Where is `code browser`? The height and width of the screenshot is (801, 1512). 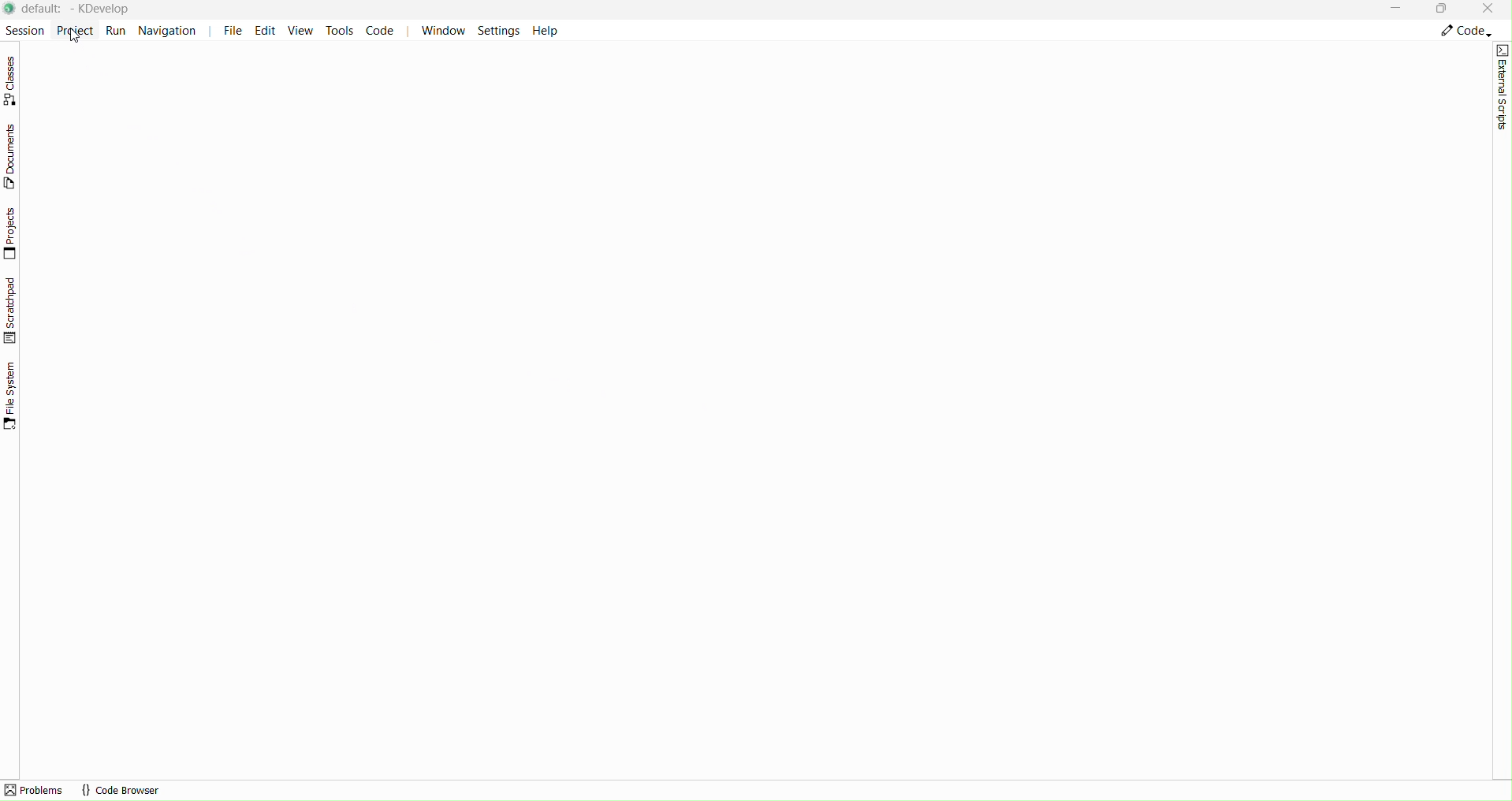
code browser is located at coordinates (121, 790).